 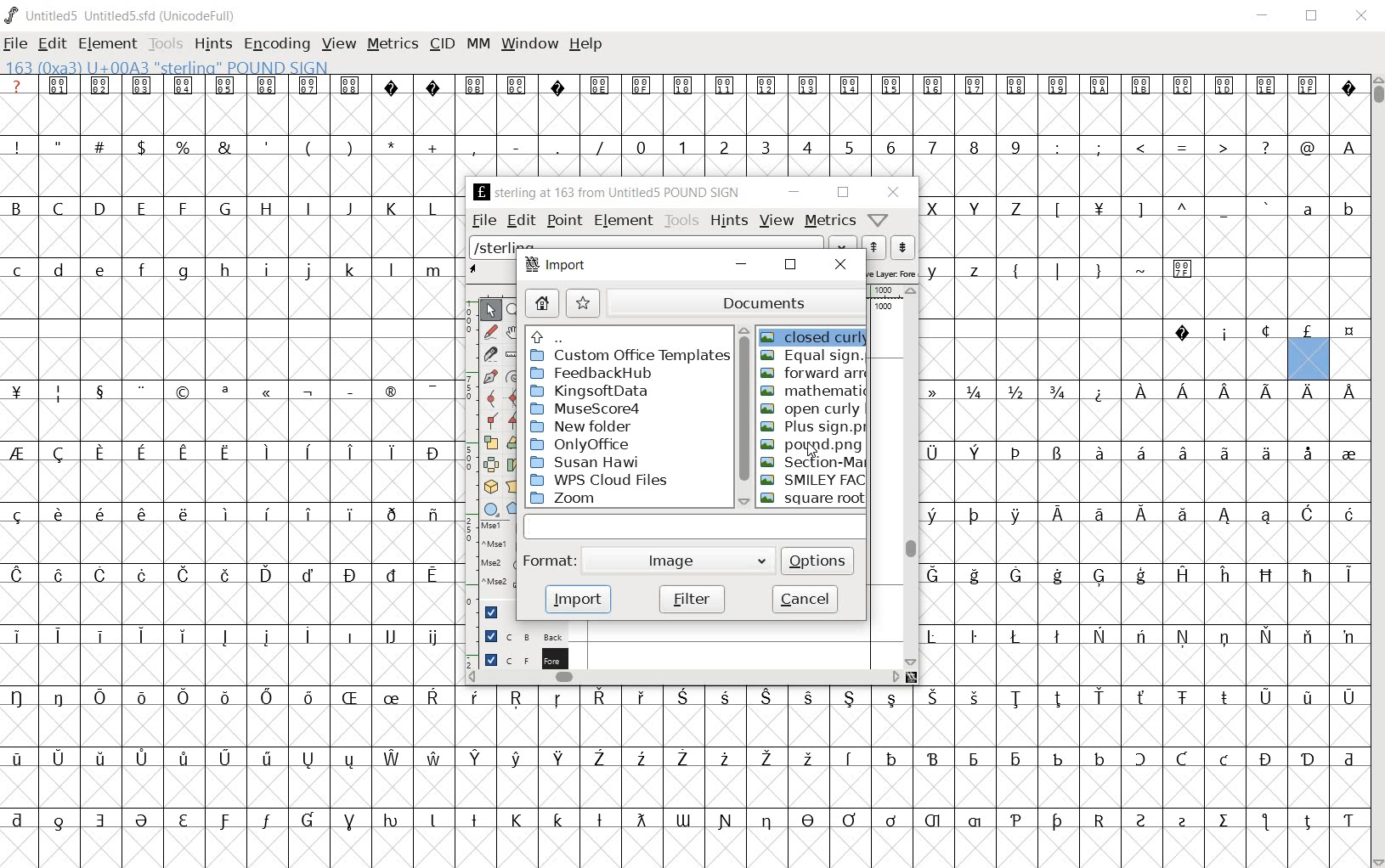 I want to click on g, so click(x=183, y=271).